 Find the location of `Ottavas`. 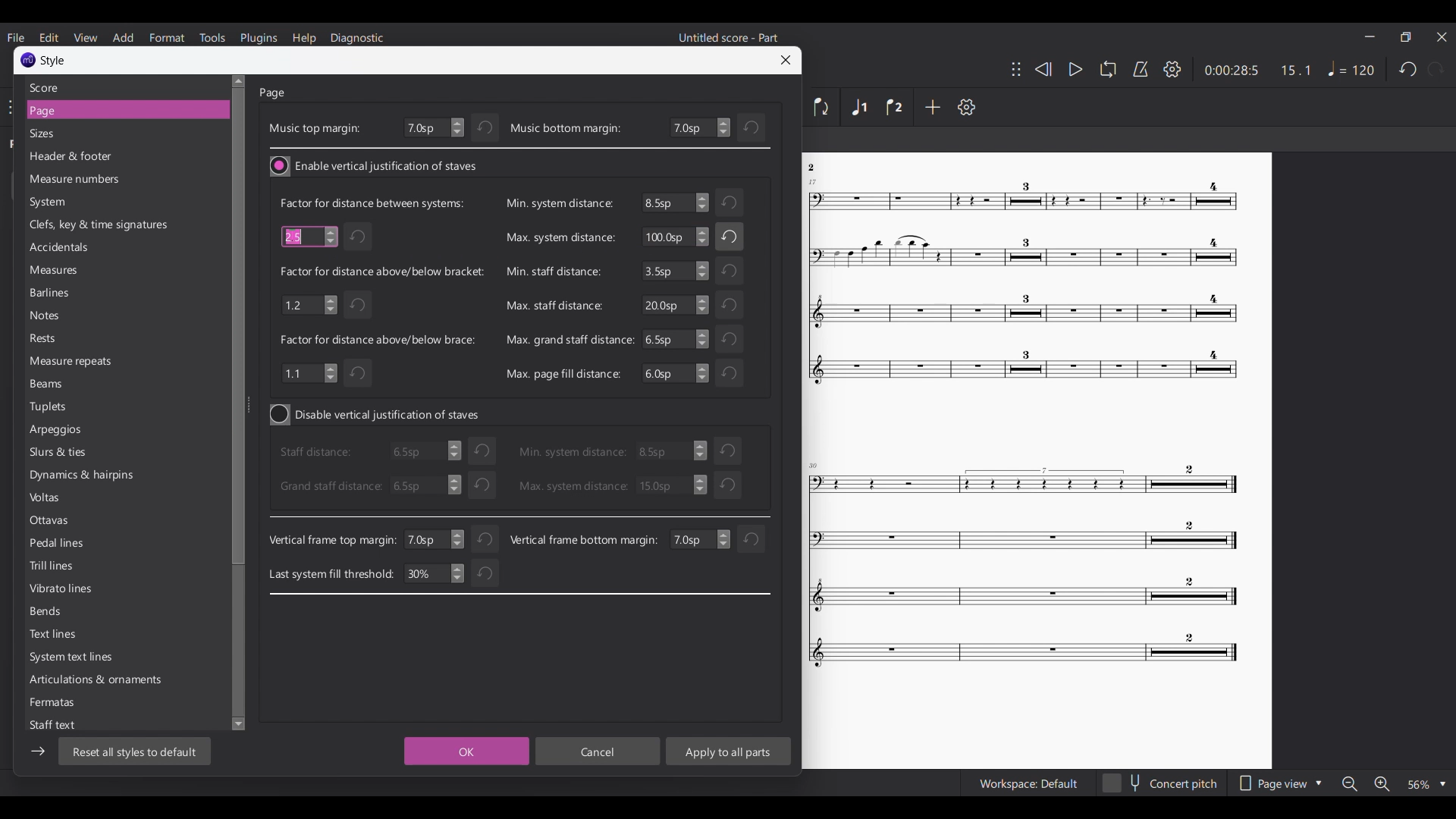

Ottavas is located at coordinates (82, 522).